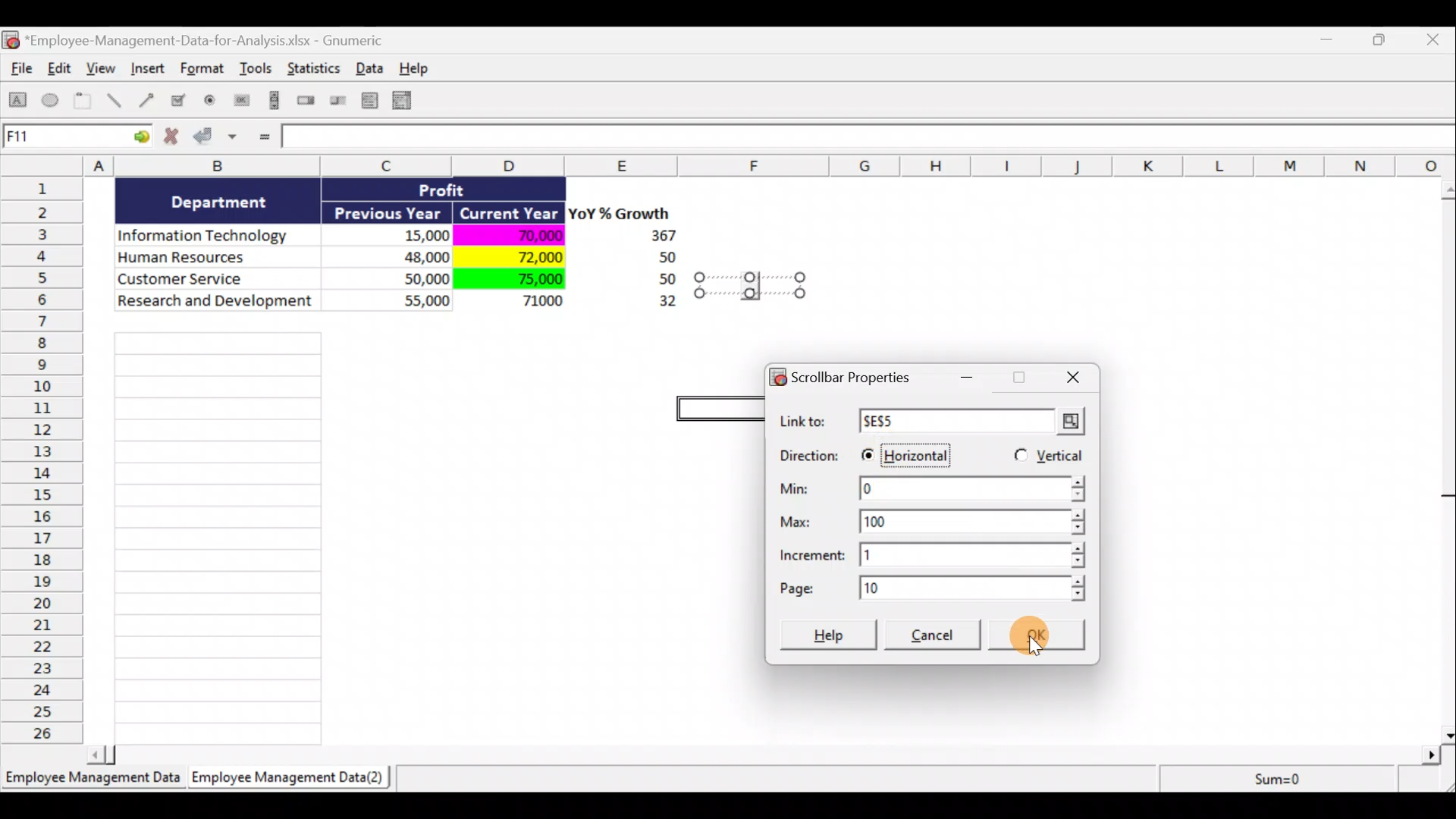 The width and height of the screenshot is (1456, 819). Describe the element at coordinates (240, 104) in the screenshot. I see `Create a button` at that location.